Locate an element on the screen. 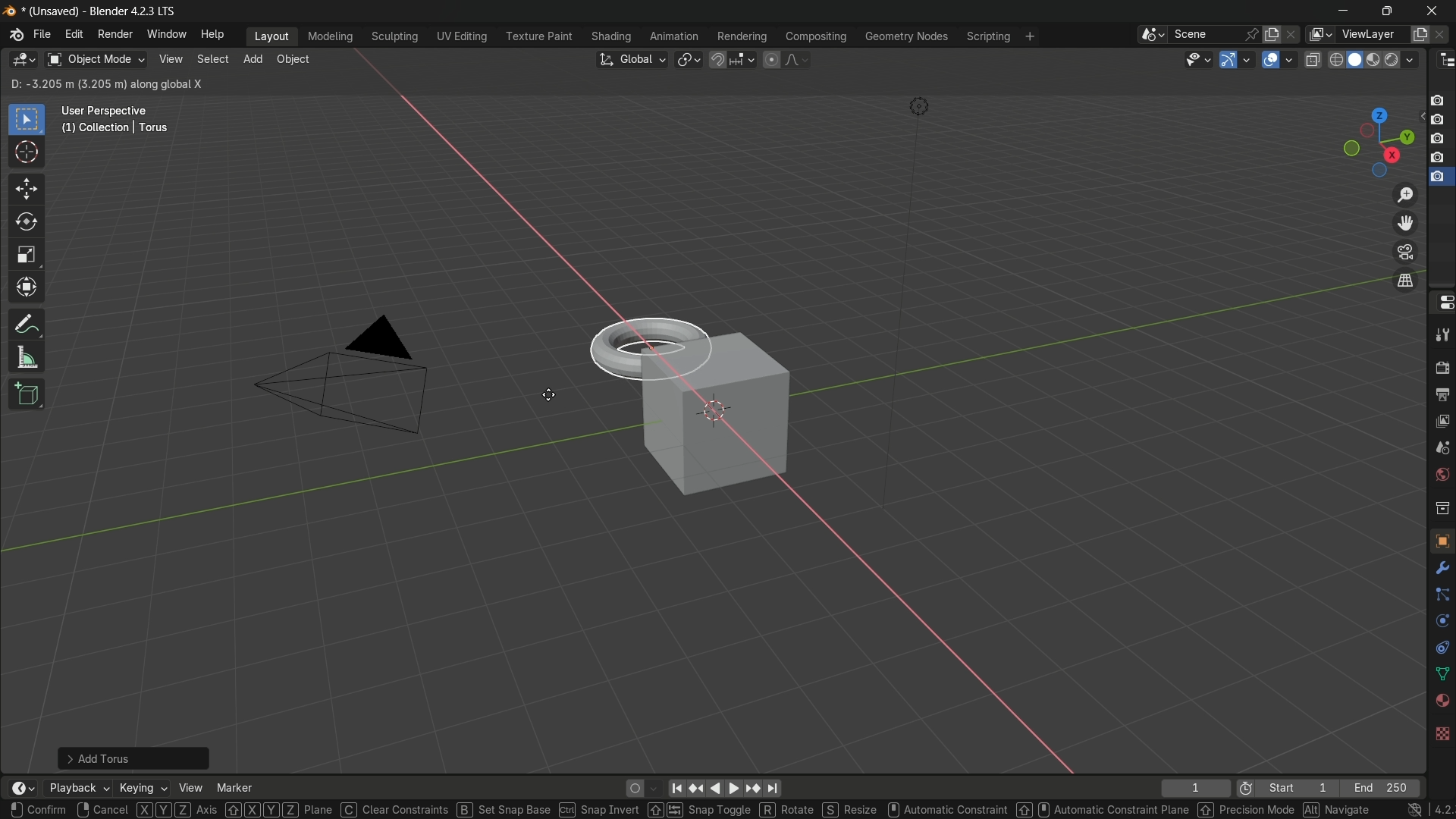 The width and height of the screenshot is (1456, 819). remove layer is located at coordinates (1442, 34).